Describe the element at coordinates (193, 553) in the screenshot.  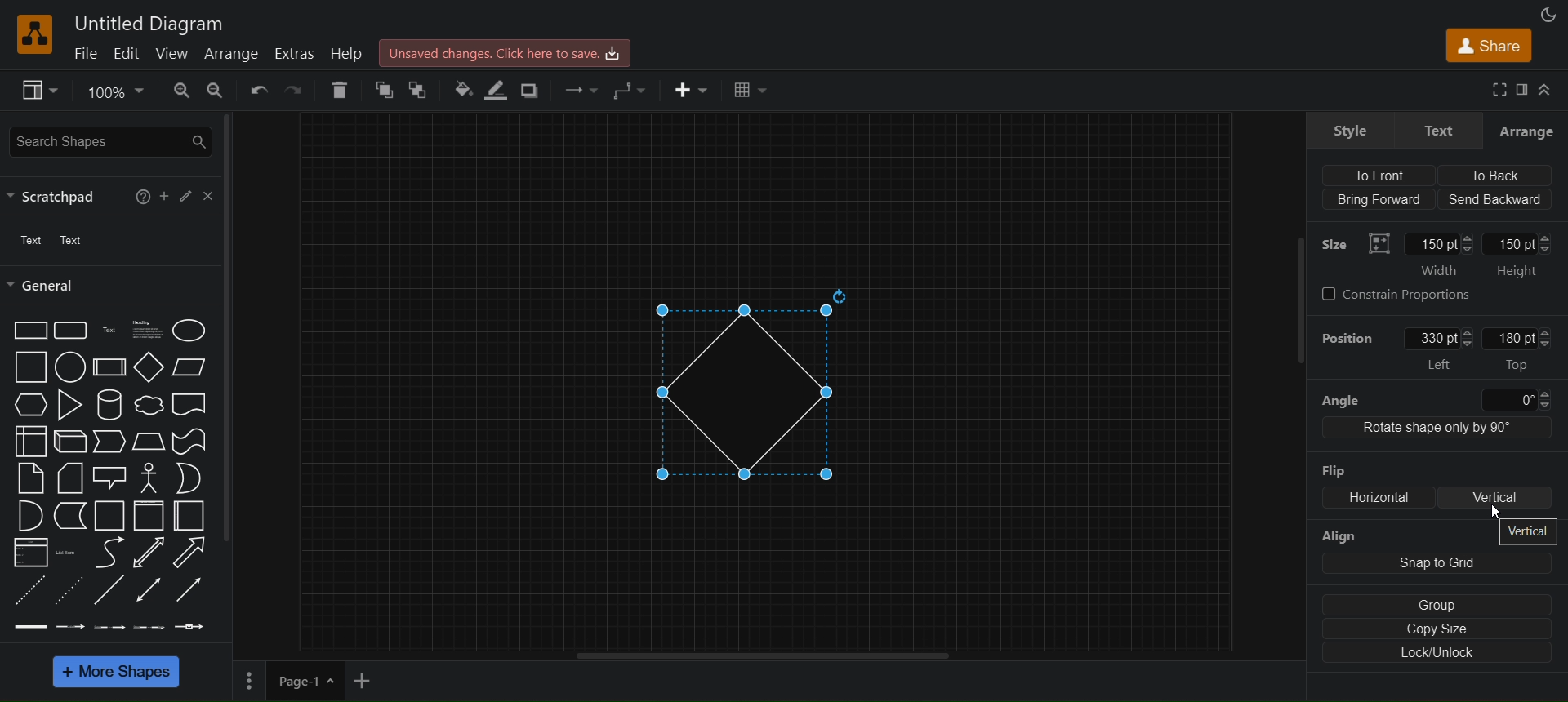
I see `arrow` at that location.